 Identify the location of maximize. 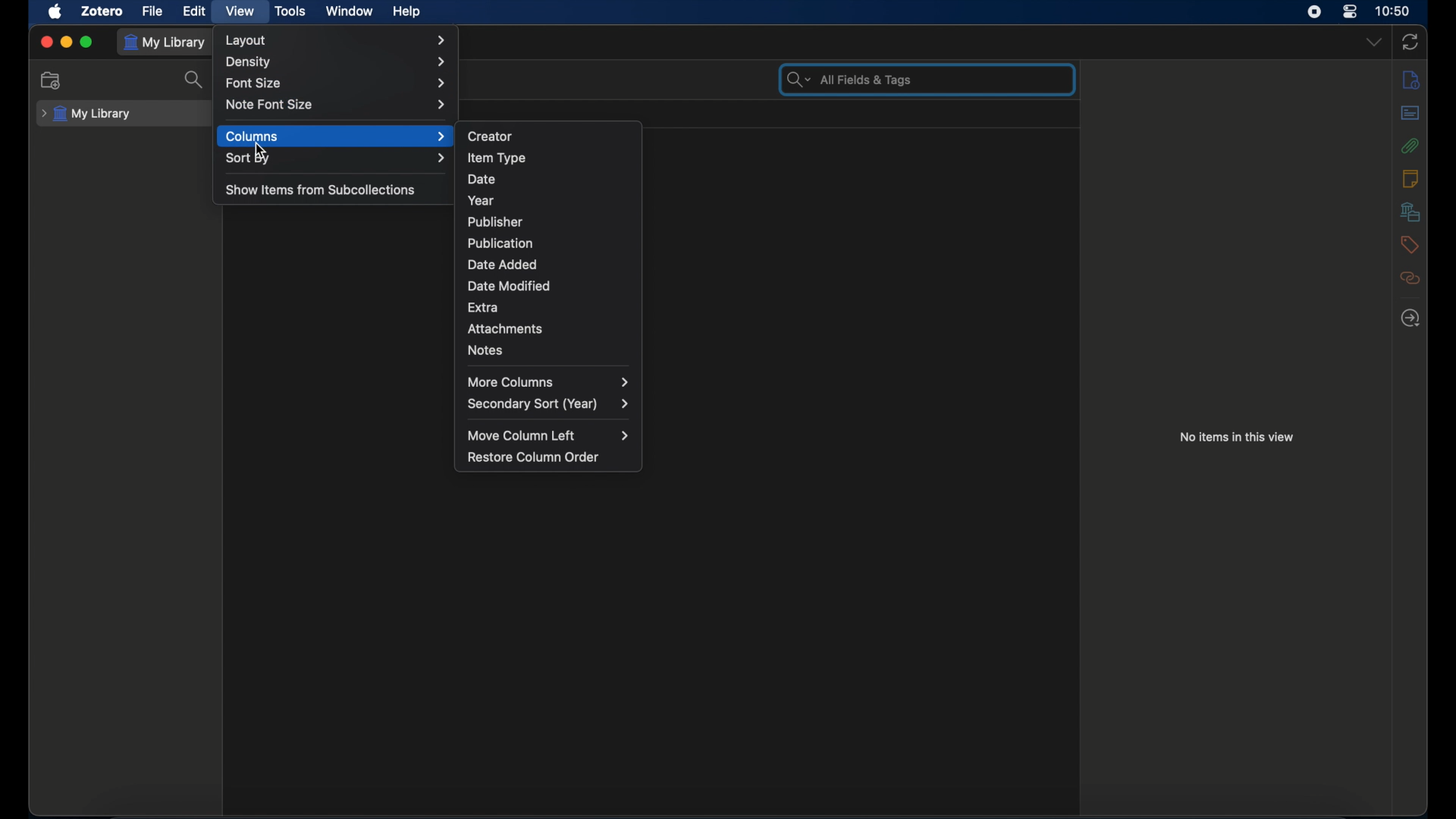
(86, 42).